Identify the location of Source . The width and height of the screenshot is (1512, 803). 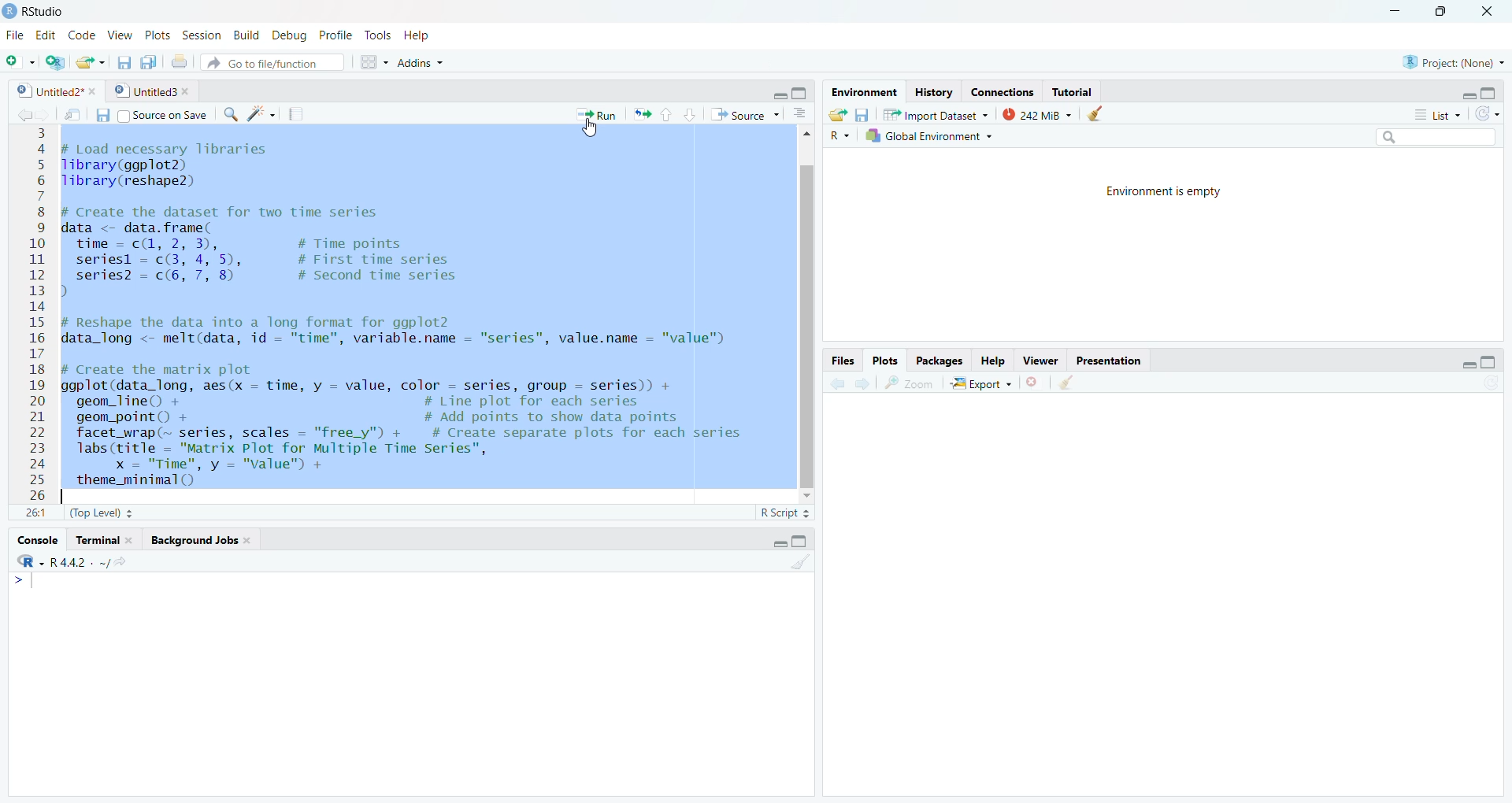
(747, 114).